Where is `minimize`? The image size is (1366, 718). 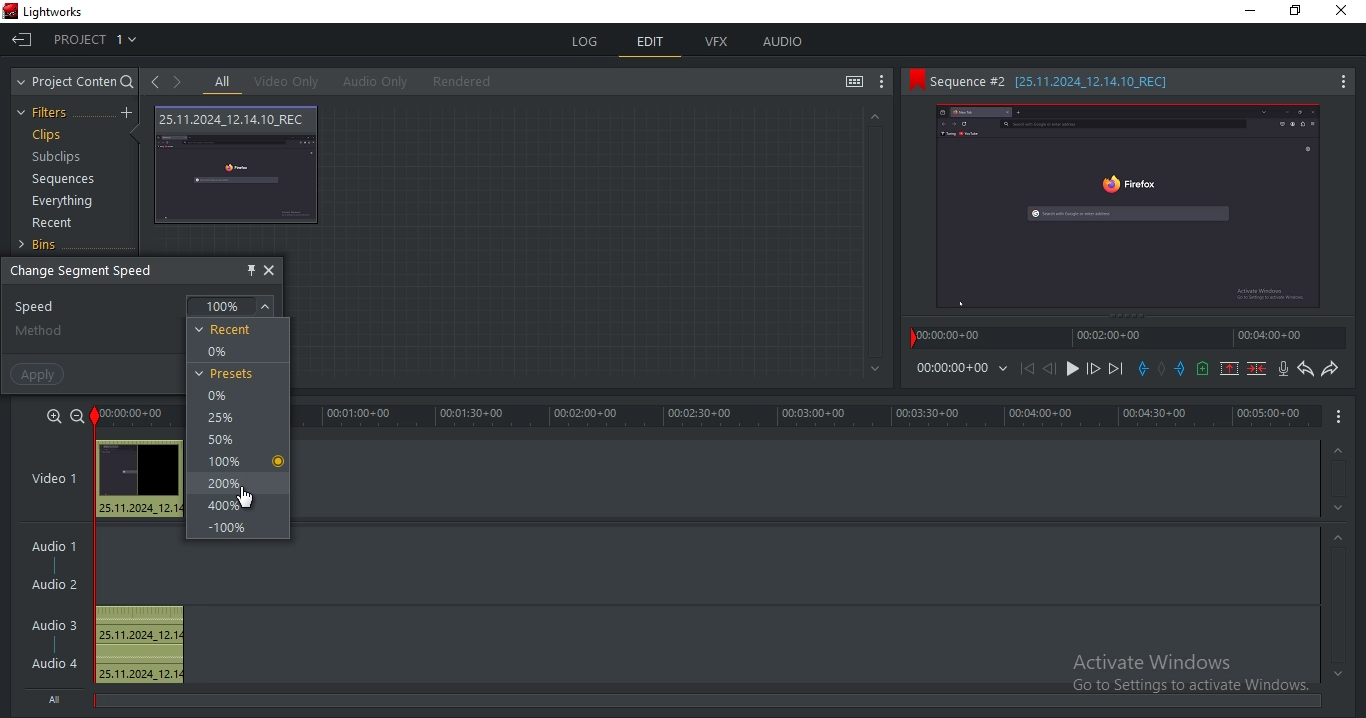 minimize is located at coordinates (1253, 14).